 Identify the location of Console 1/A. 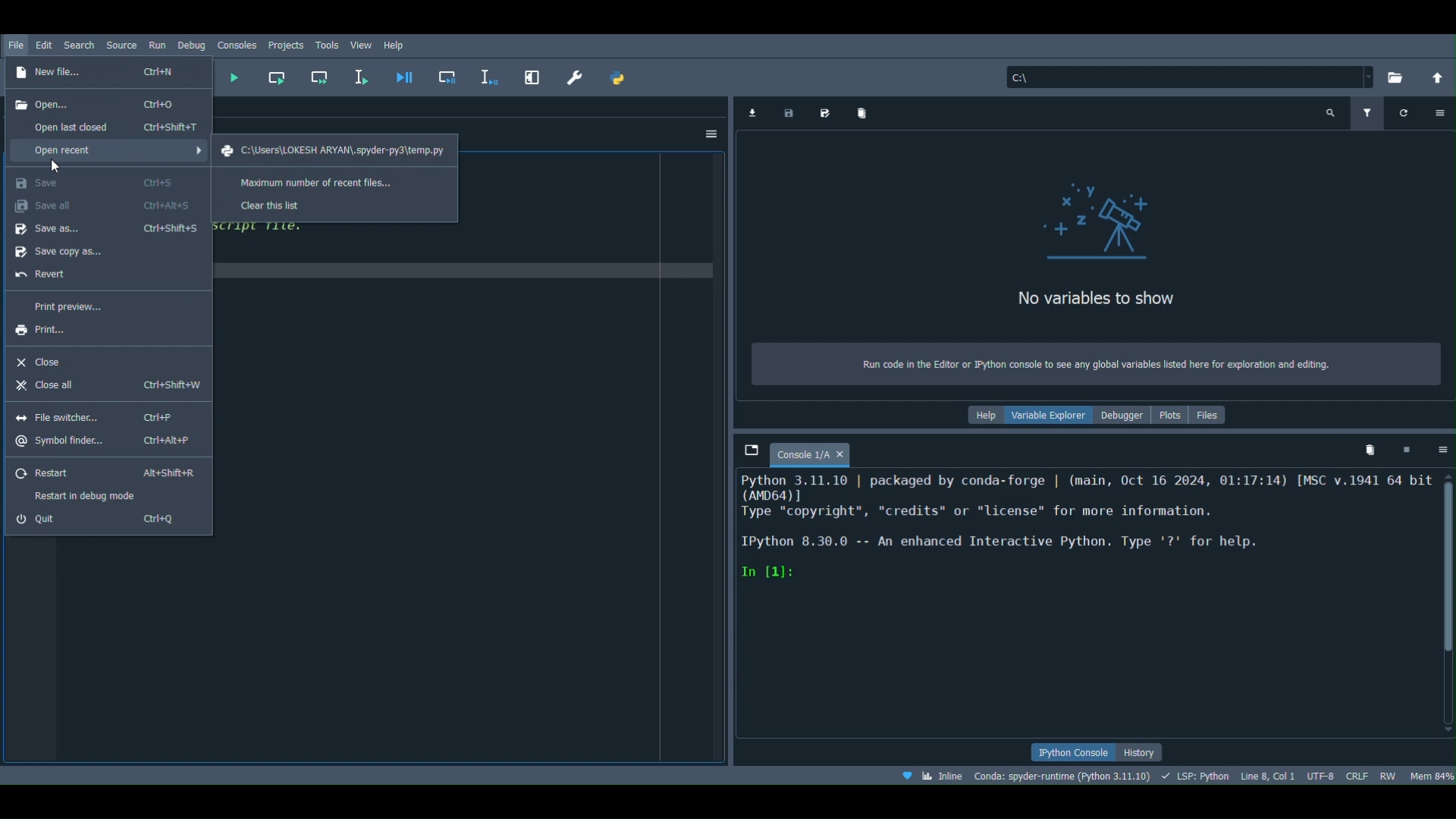
(798, 455).